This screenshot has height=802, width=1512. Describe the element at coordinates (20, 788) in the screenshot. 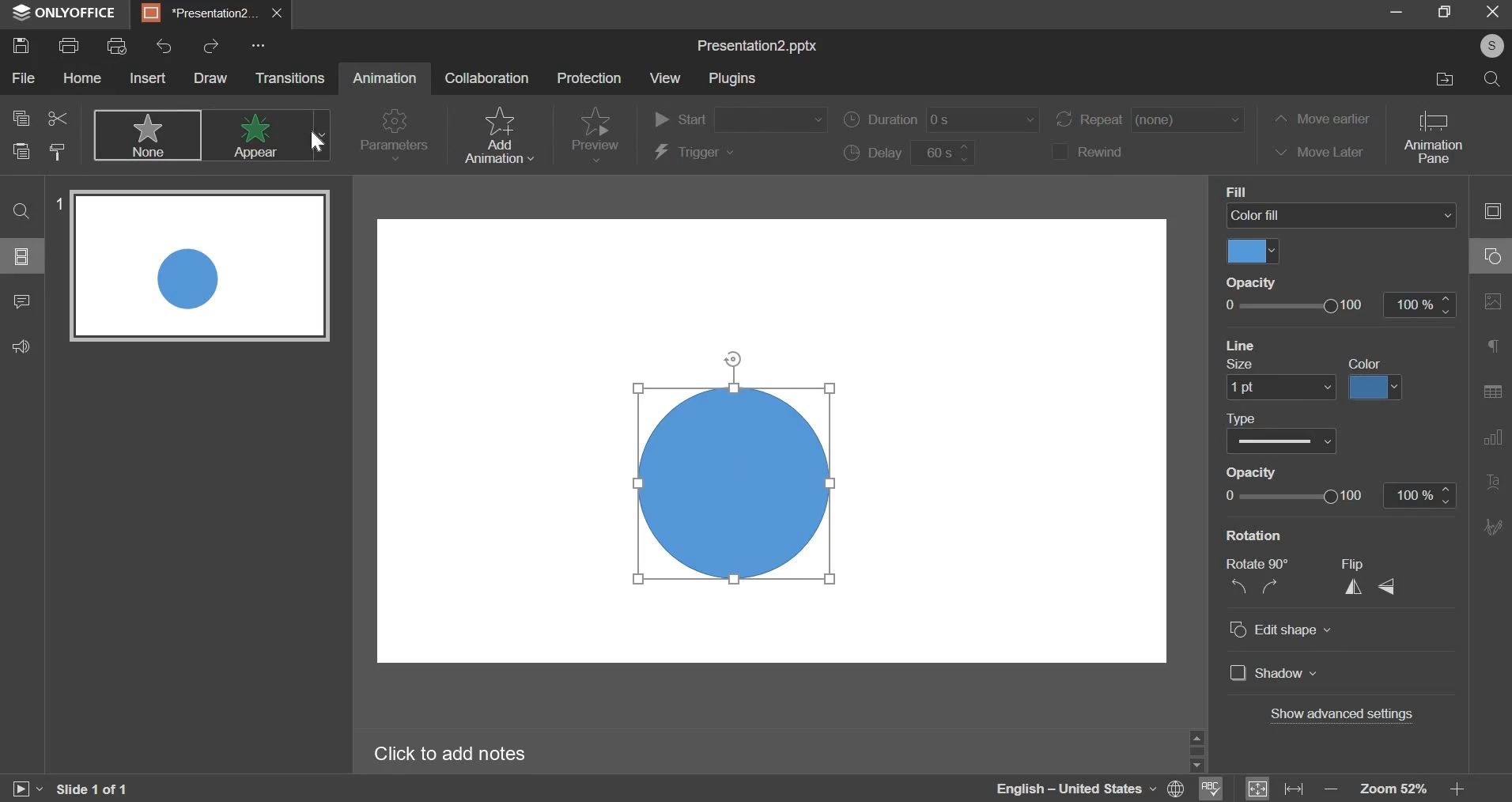

I see `play` at that location.